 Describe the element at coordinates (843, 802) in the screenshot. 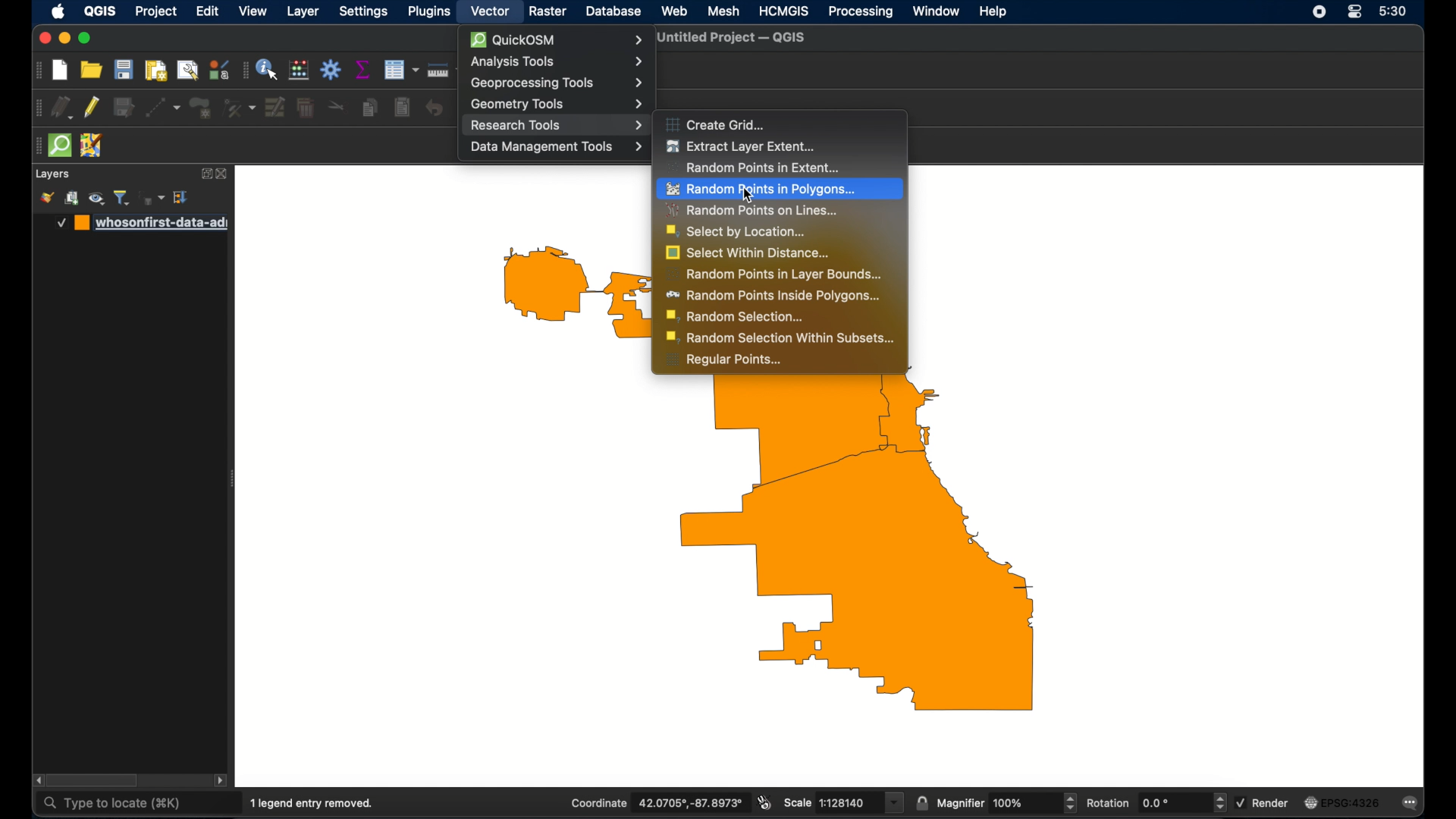

I see `scale` at that location.